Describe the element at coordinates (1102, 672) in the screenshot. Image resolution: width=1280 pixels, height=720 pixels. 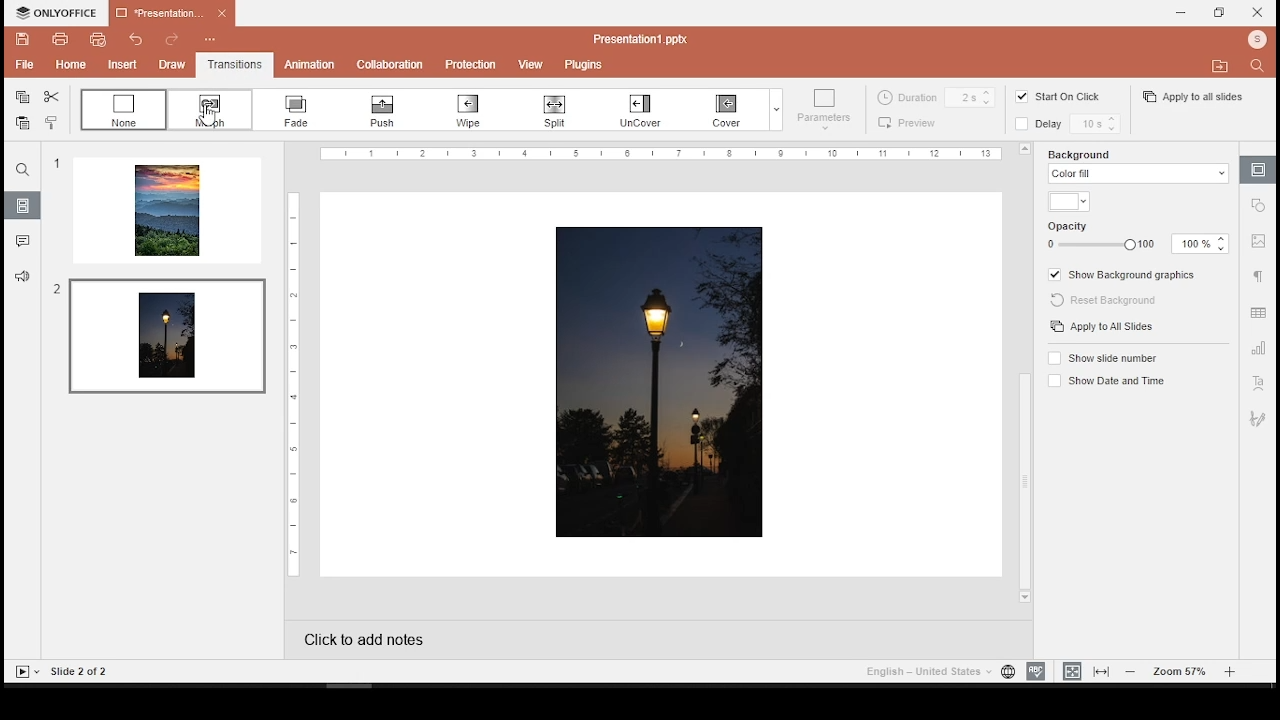
I see `fit to width` at that location.